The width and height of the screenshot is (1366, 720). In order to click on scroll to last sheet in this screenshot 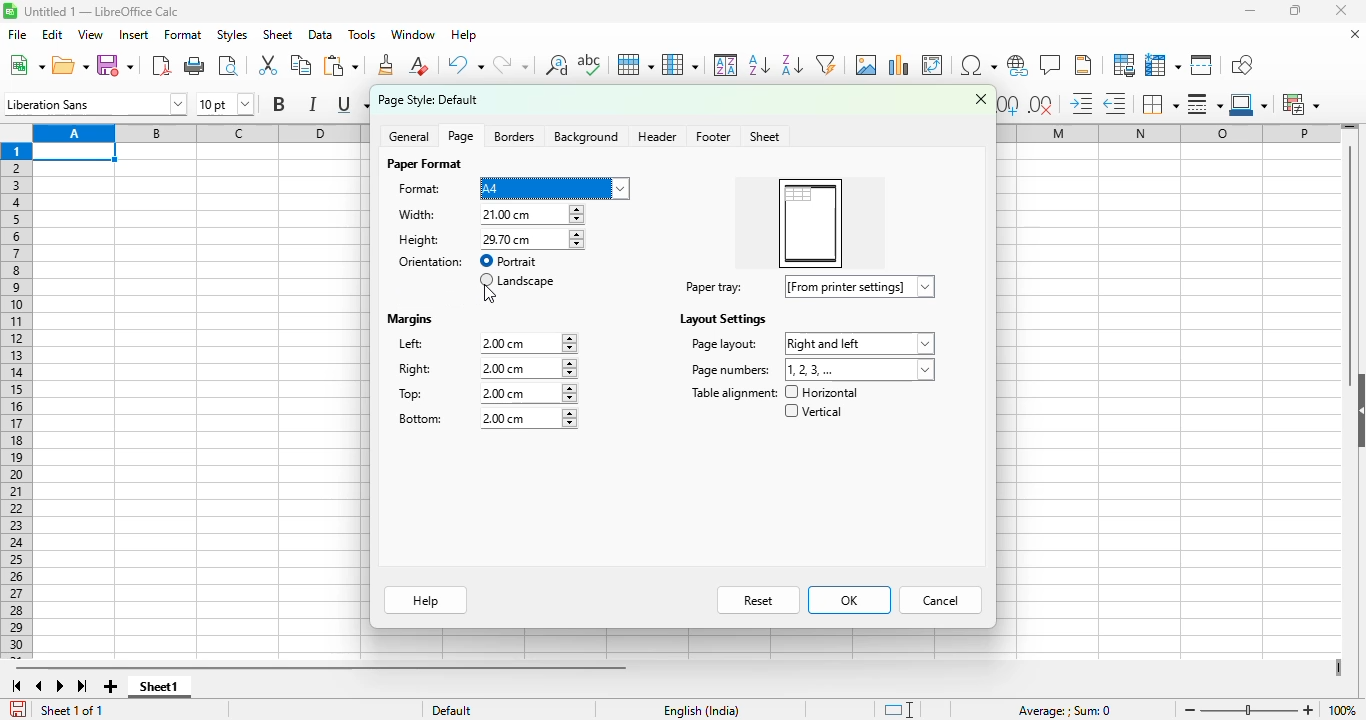, I will do `click(83, 686)`.